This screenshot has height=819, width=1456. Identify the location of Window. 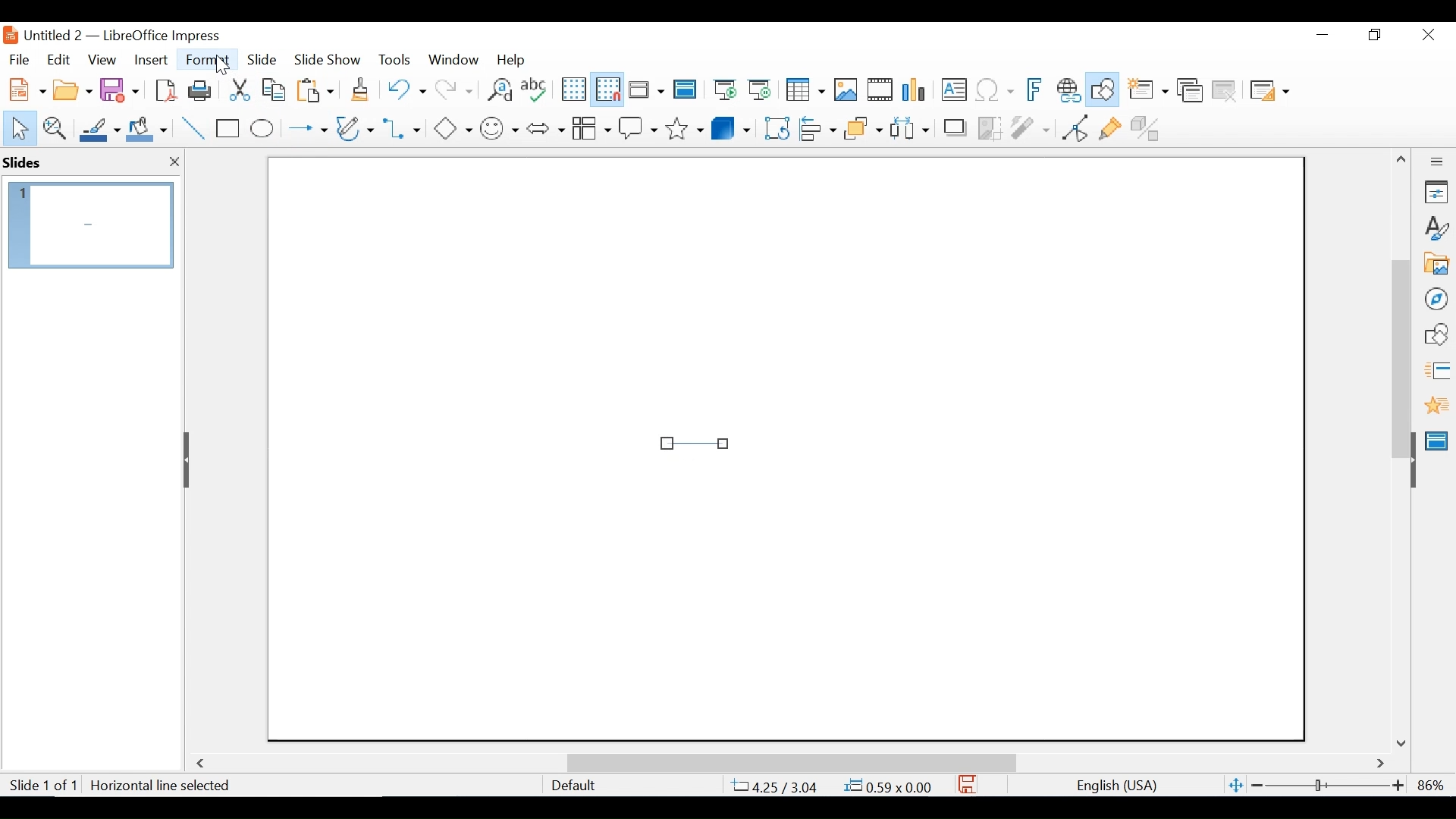
(453, 59).